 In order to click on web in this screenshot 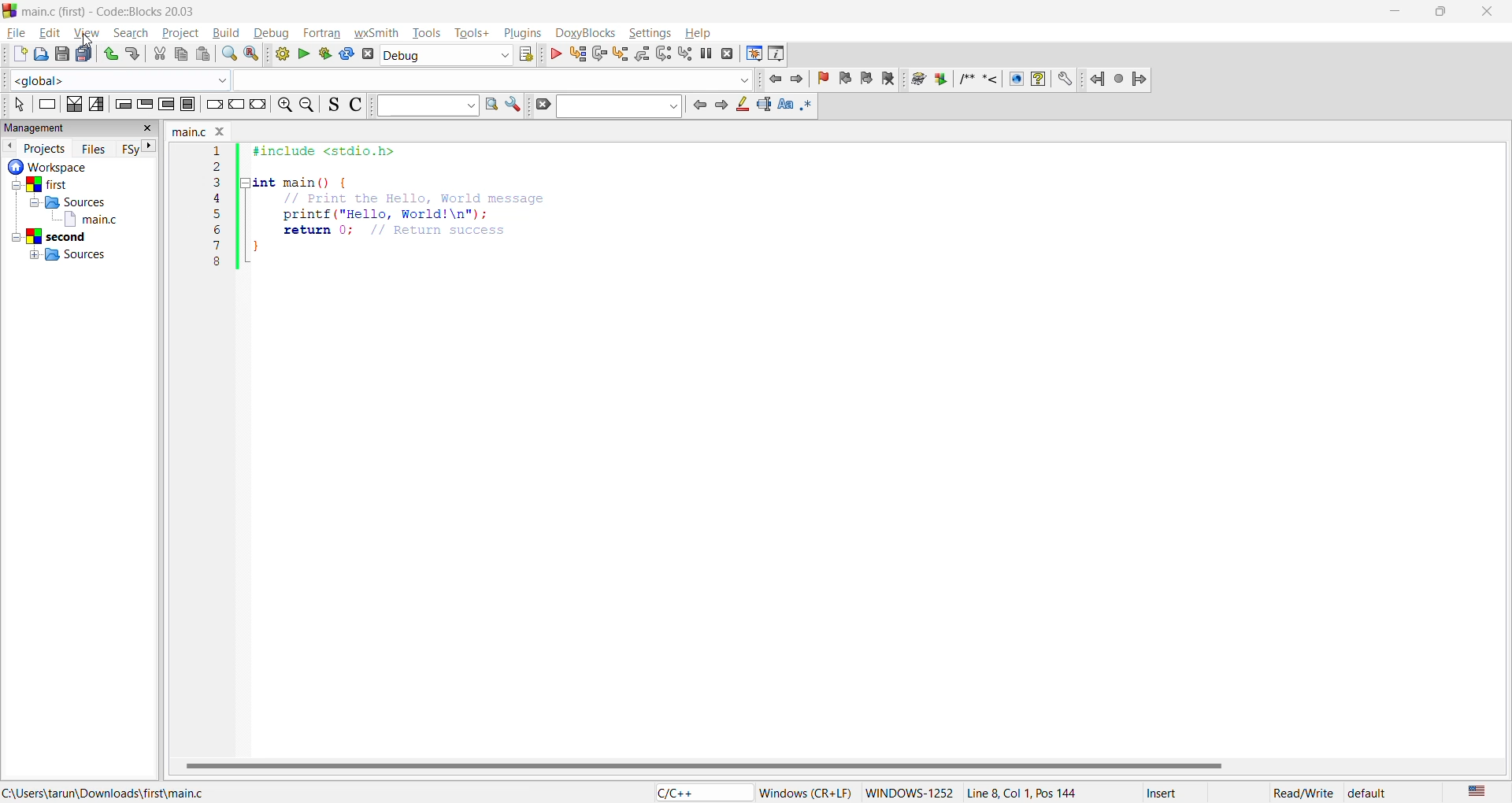, I will do `click(1017, 79)`.